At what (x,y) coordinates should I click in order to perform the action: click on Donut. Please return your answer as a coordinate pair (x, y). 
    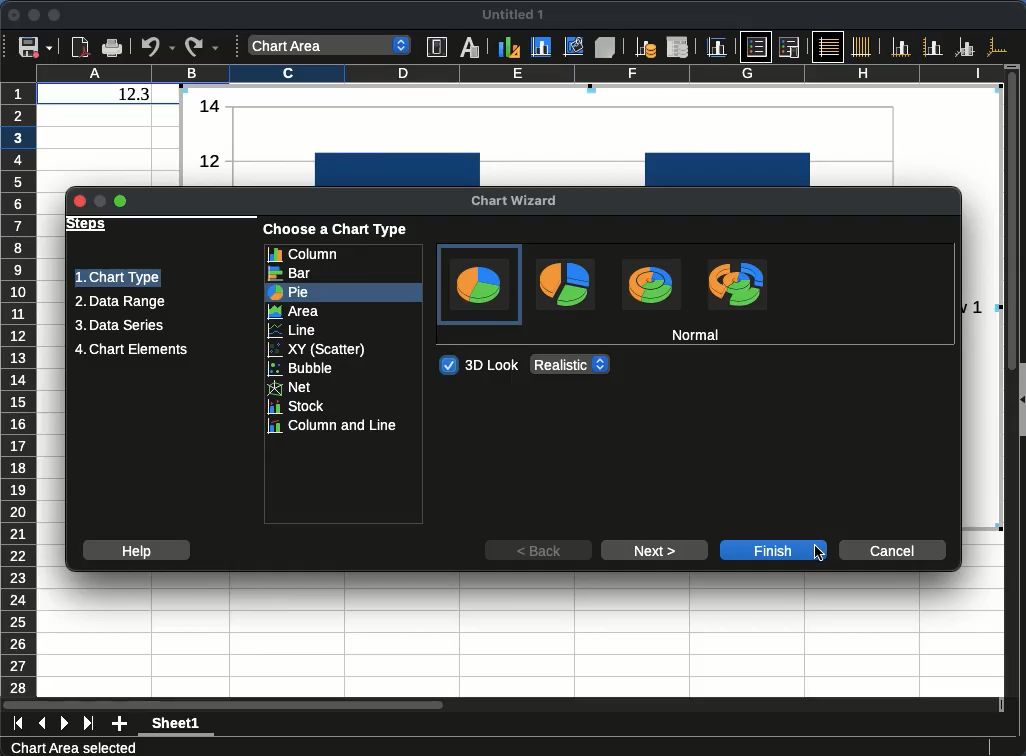
    Looking at the image, I should click on (651, 284).